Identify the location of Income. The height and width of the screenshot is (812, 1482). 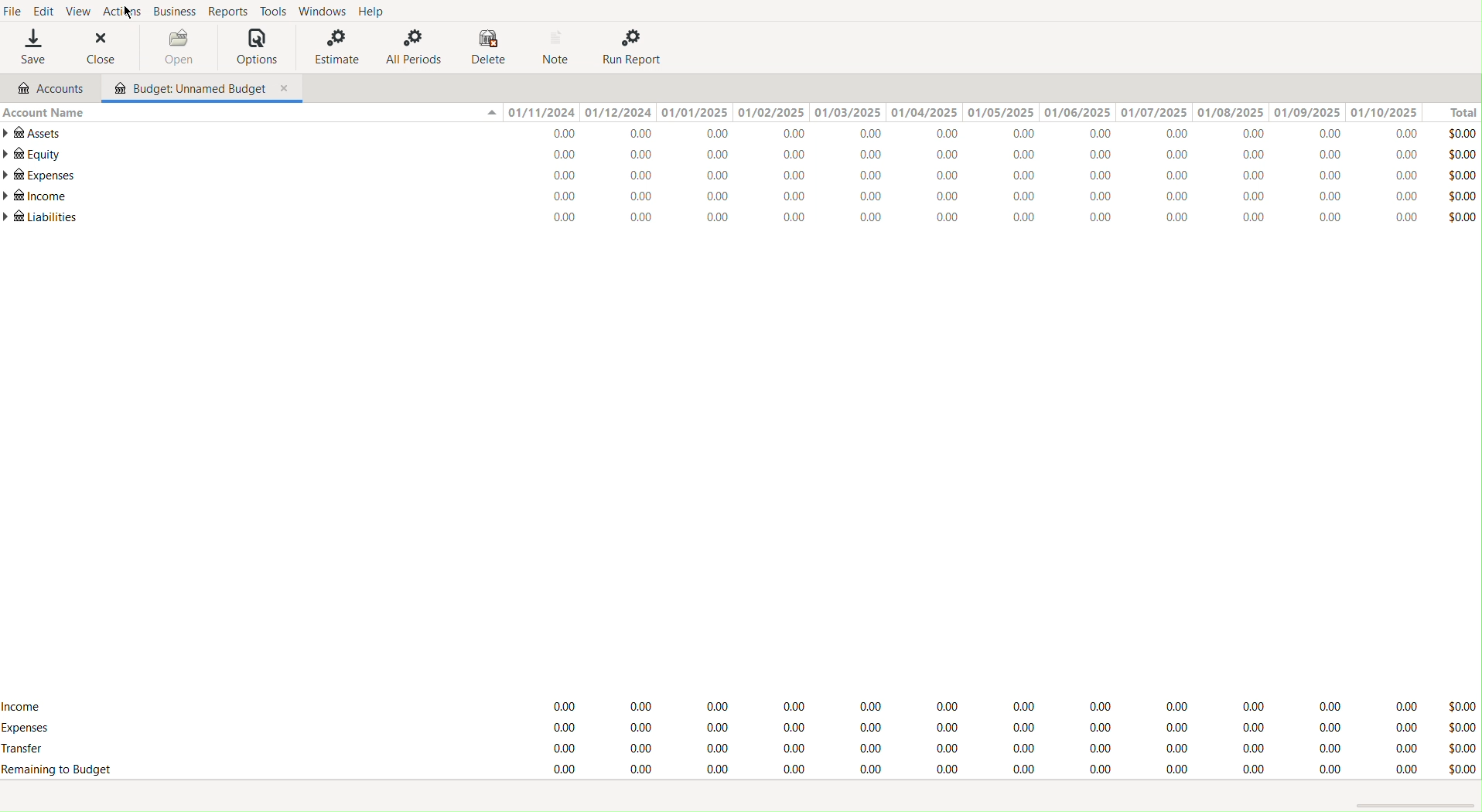
(37, 197).